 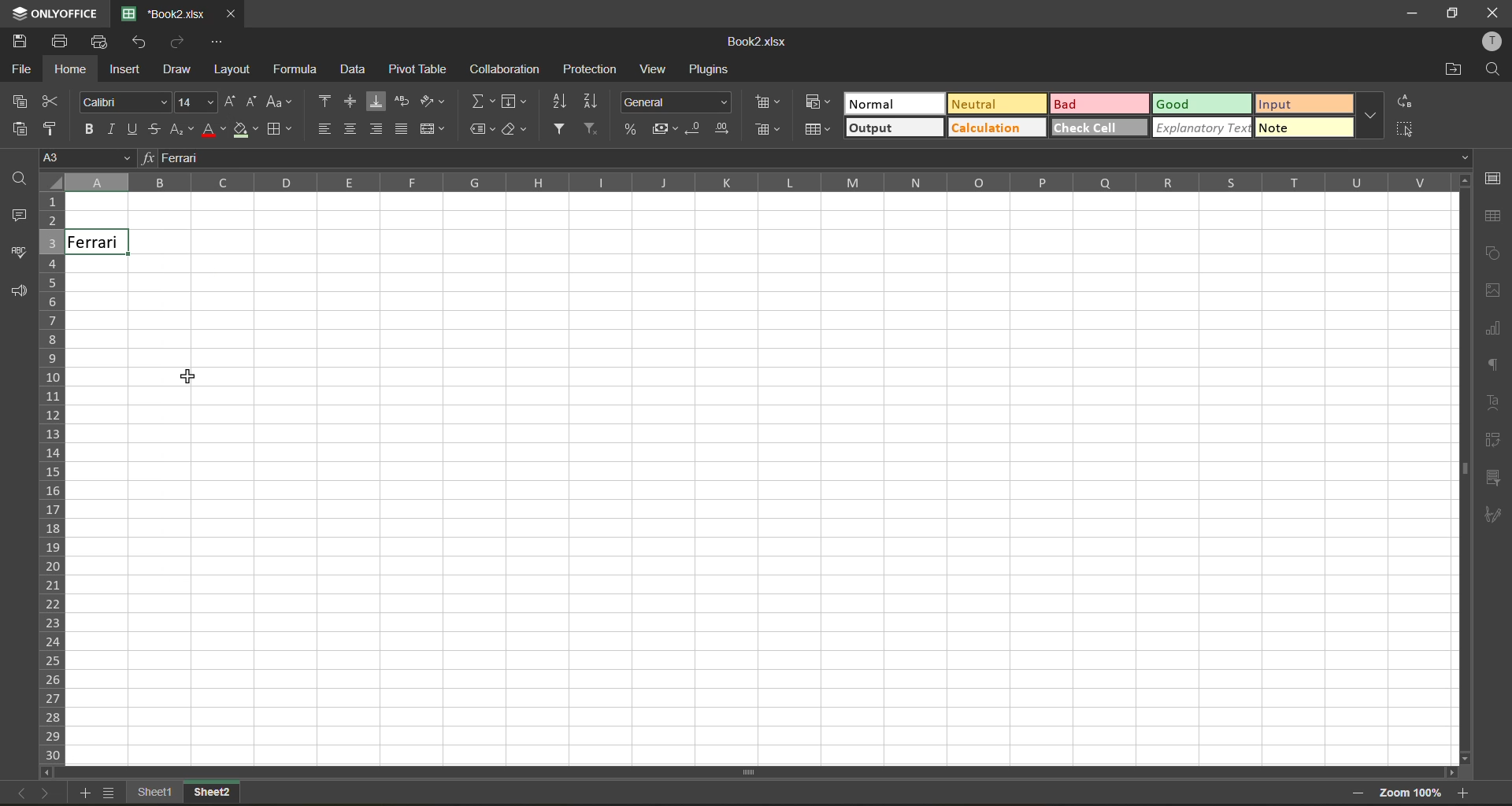 What do you see at coordinates (753, 43) in the screenshot?
I see `filename` at bounding box center [753, 43].